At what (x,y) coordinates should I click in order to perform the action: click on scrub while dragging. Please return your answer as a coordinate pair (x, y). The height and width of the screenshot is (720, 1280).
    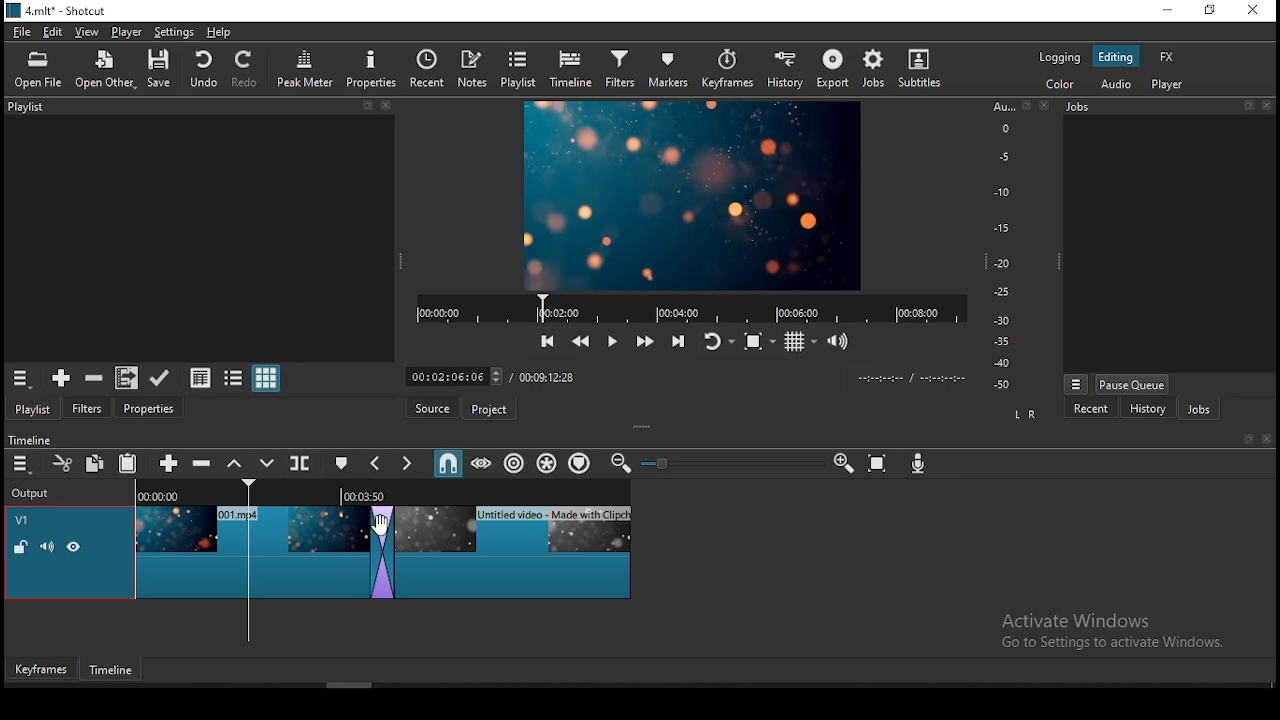
    Looking at the image, I should click on (483, 463).